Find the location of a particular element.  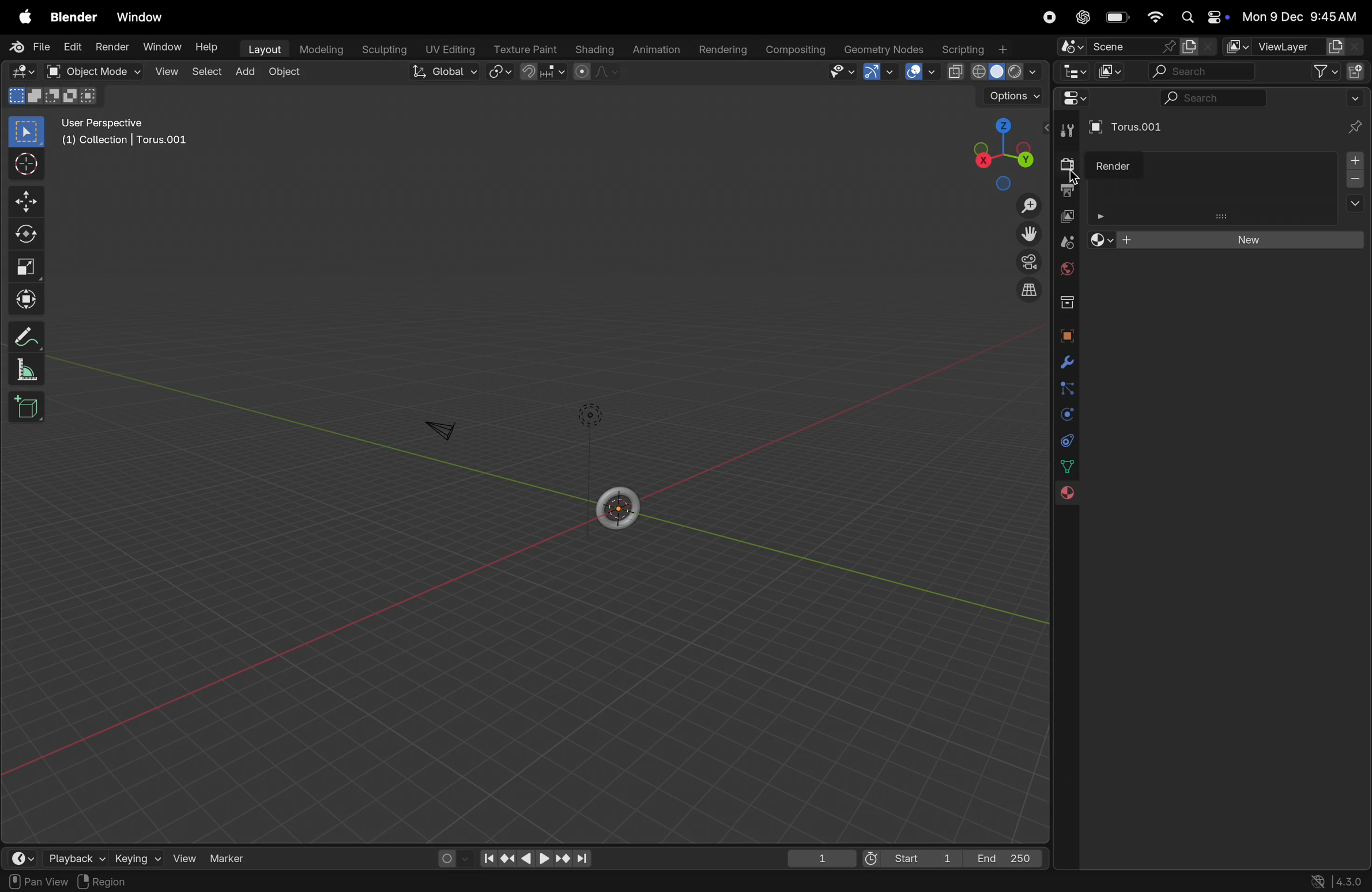

marker is located at coordinates (233, 860).